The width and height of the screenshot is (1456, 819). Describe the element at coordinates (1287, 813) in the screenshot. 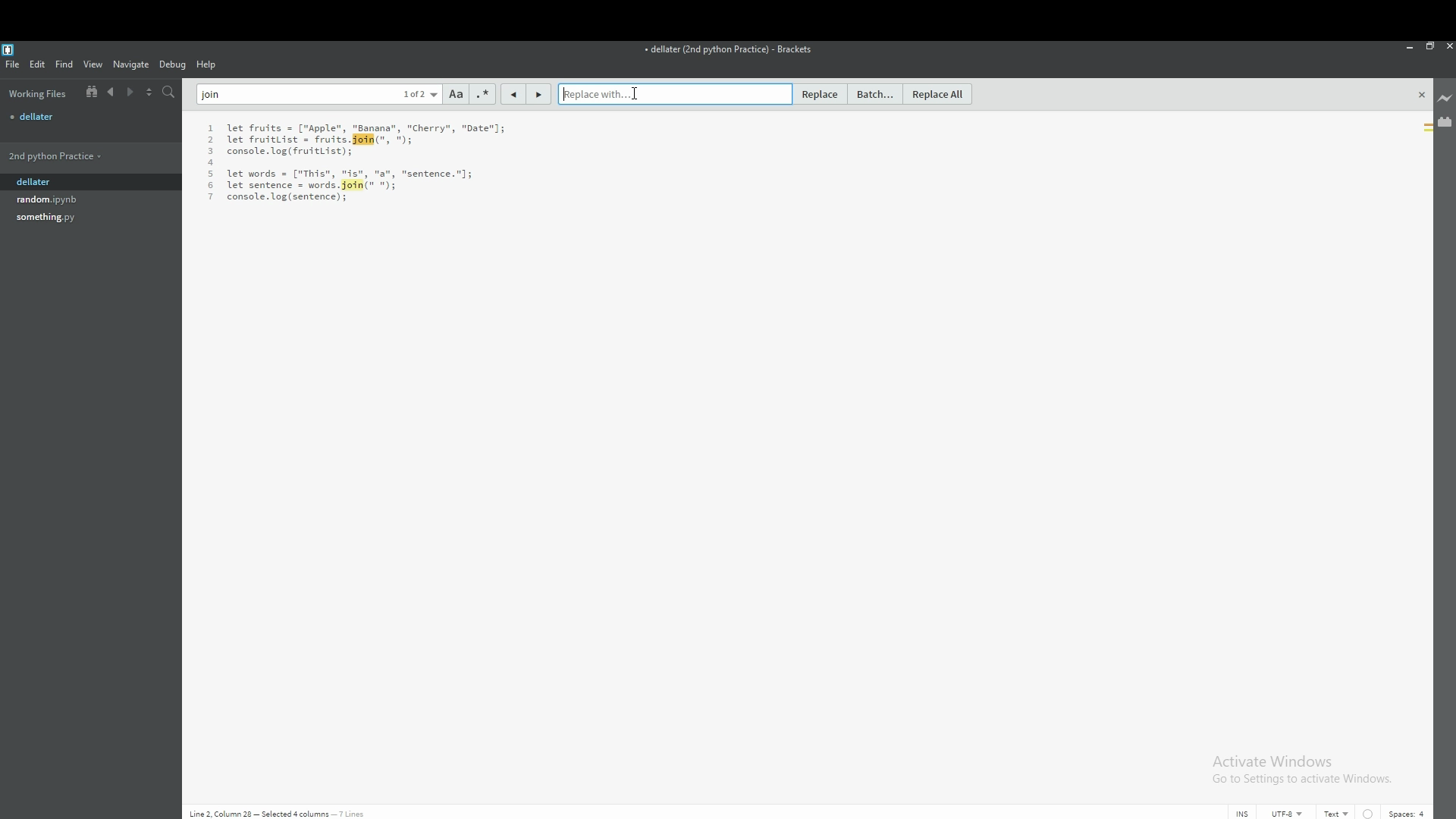

I see `encoding` at that location.